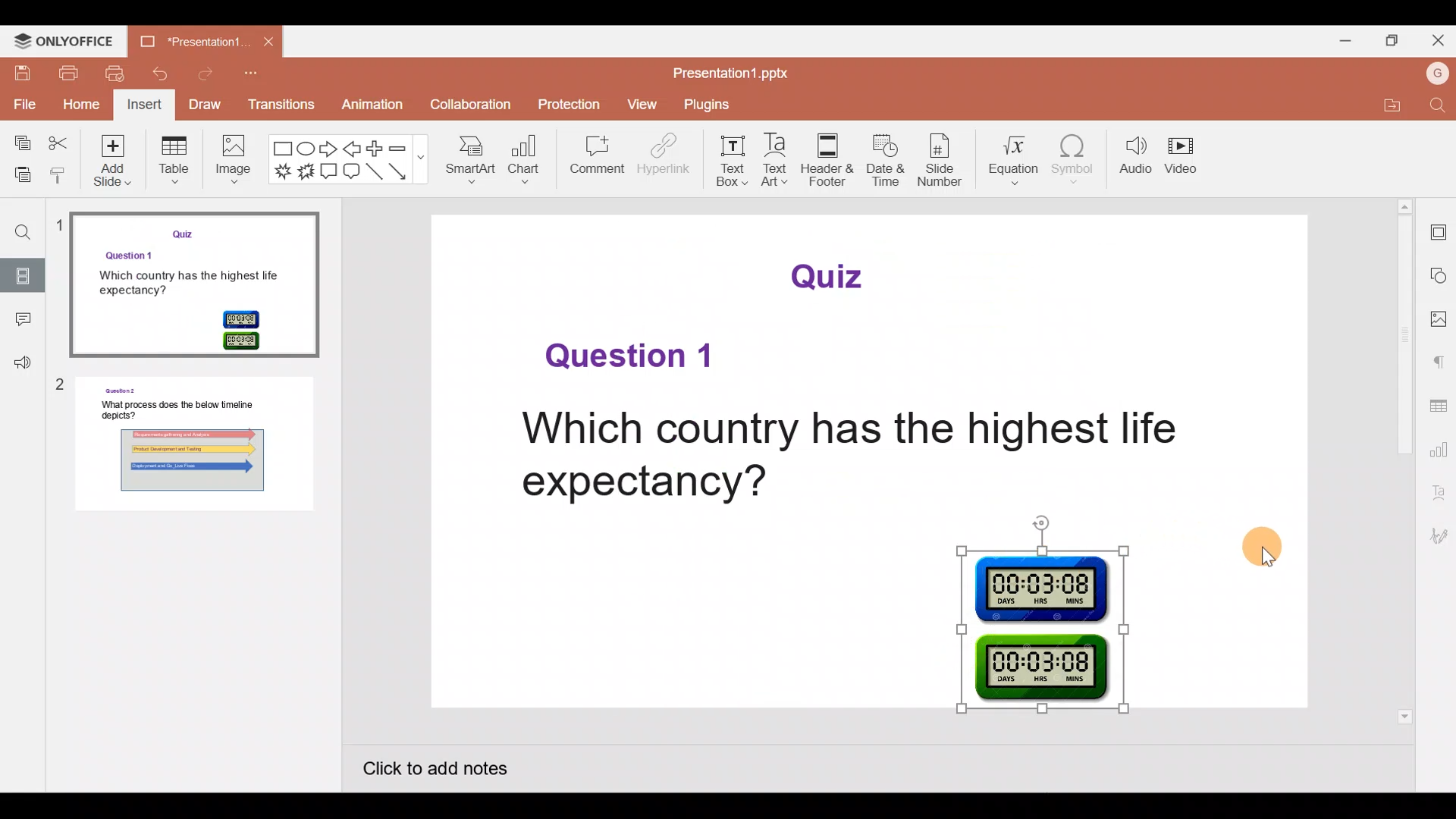  Describe the element at coordinates (174, 165) in the screenshot. I see `Table` at that location.